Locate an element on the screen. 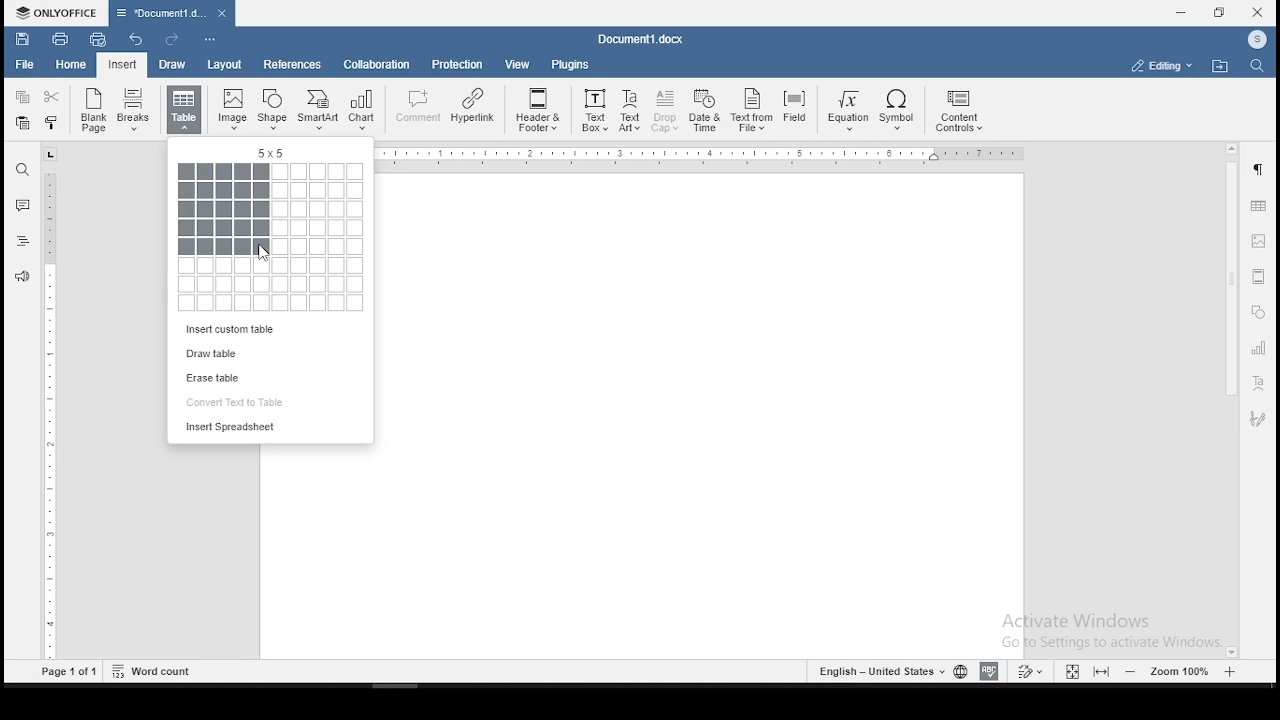 This screenshot has width=1280, height=720. minimize is located at coordinates (1183, 12).